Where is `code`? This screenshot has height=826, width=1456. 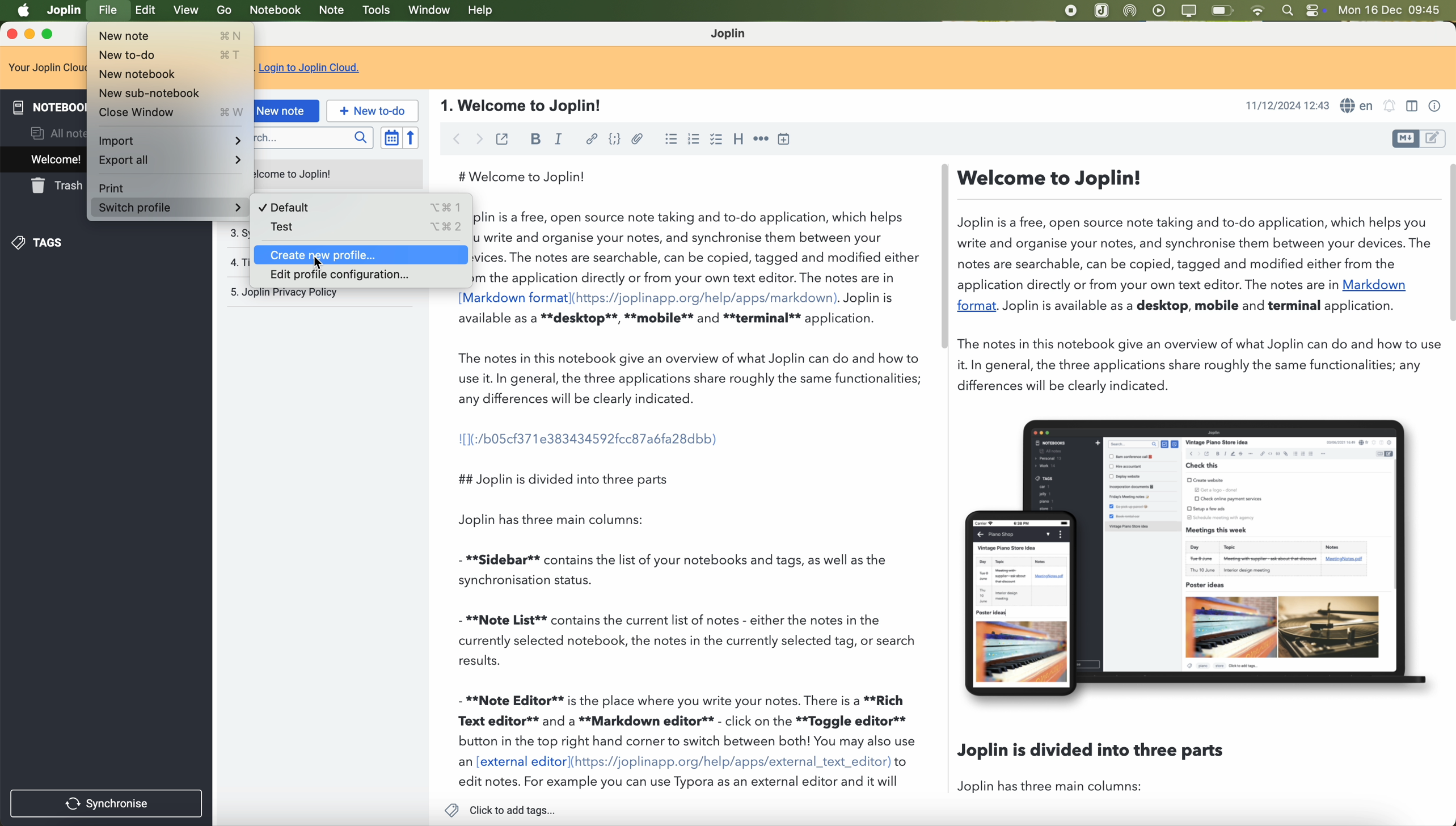
code is located at coordinates (614, 138).